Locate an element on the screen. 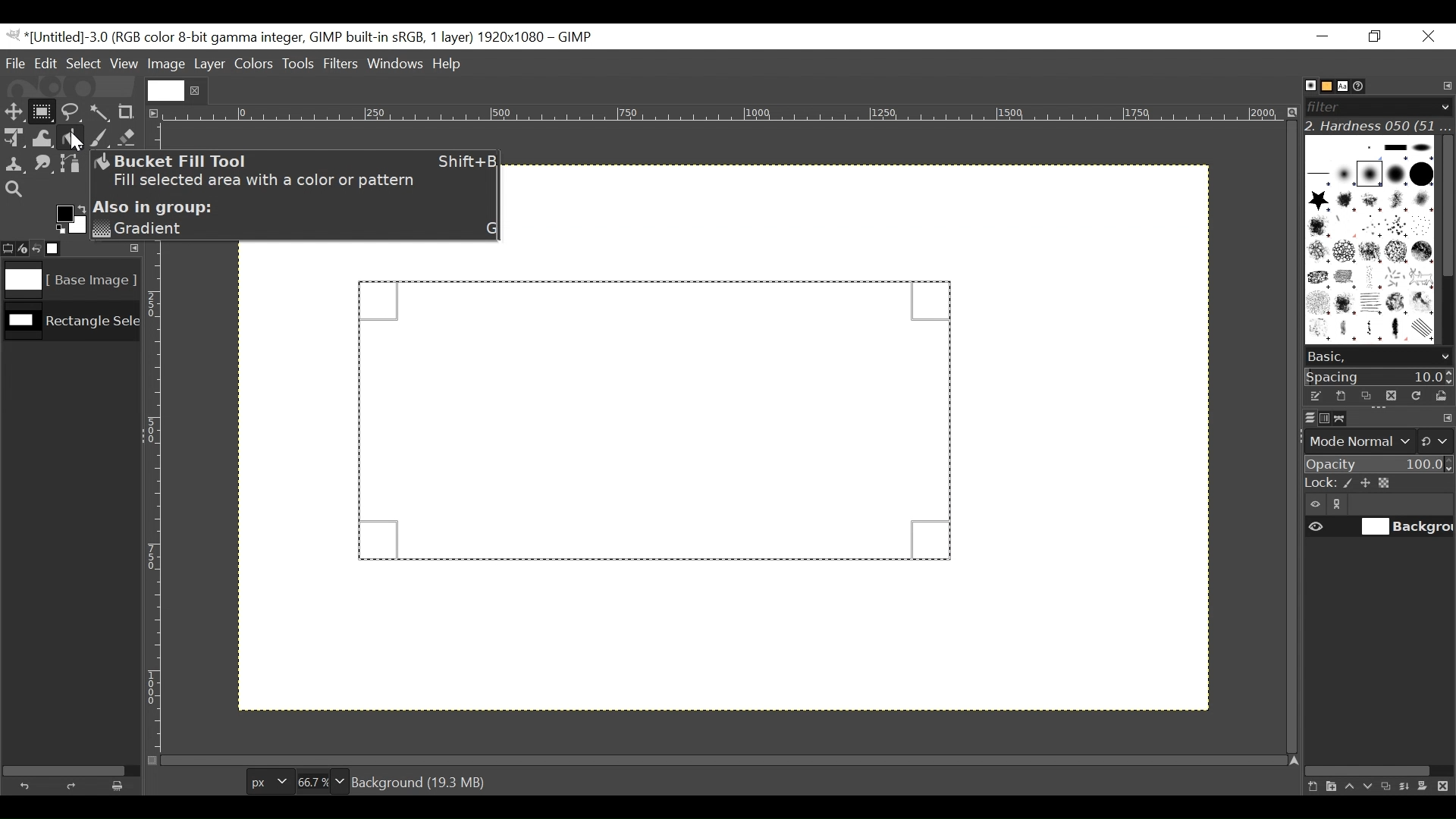 This screenshot has width=1456, height=819. Select by color tool is located at coordinates (102, 111).